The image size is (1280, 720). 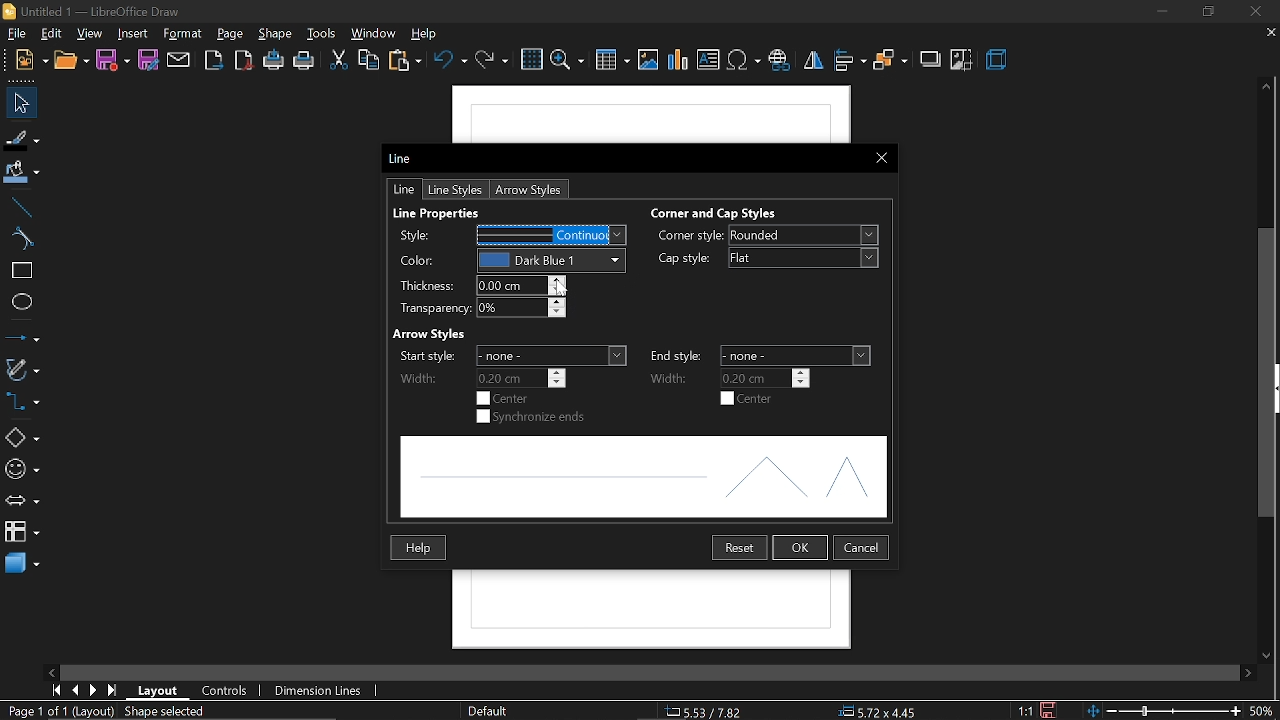 I want to click on start style, so click(x=552, y=355).